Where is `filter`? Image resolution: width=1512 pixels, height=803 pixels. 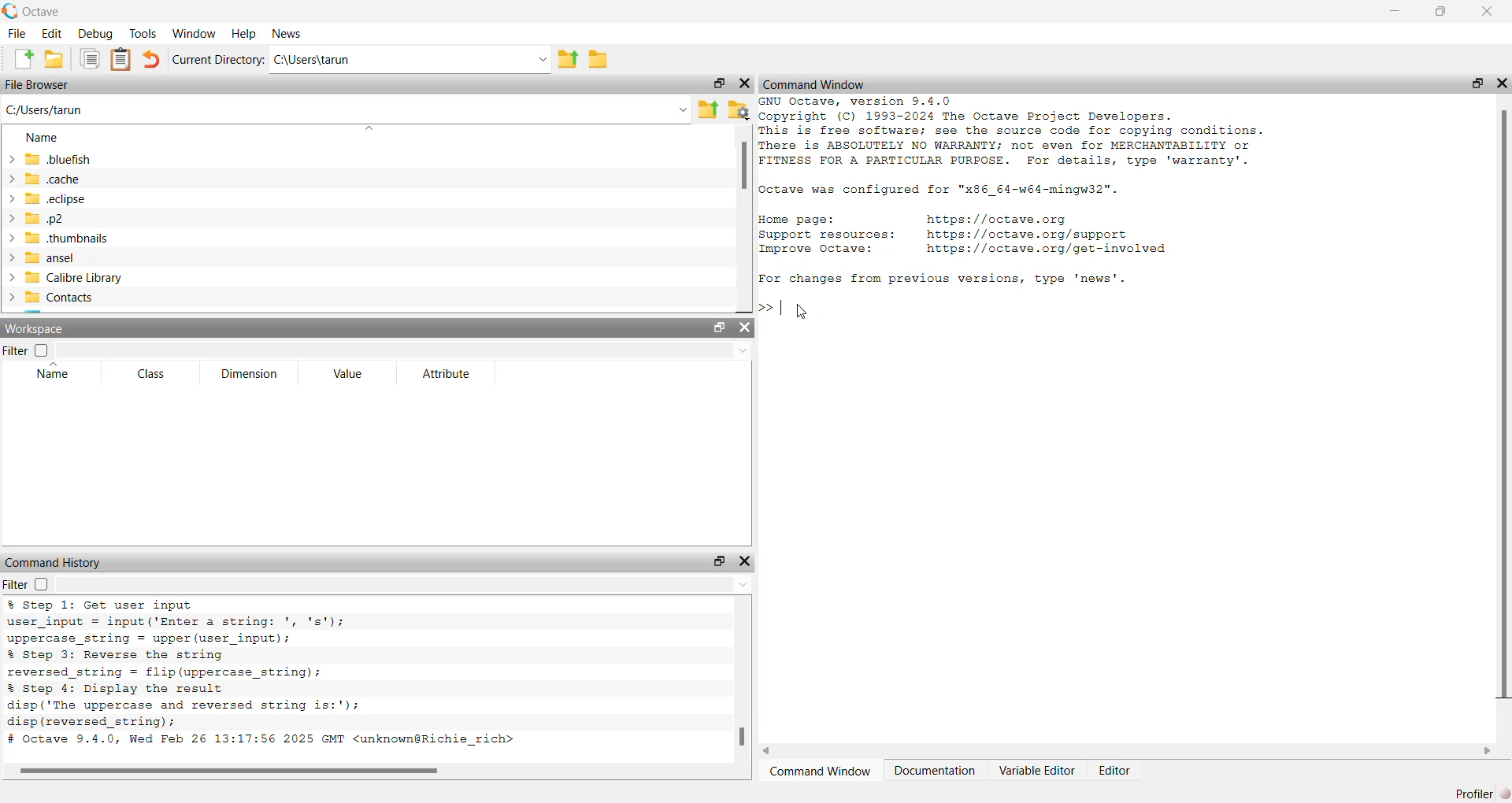
filter is located at coordinates (31, 584).